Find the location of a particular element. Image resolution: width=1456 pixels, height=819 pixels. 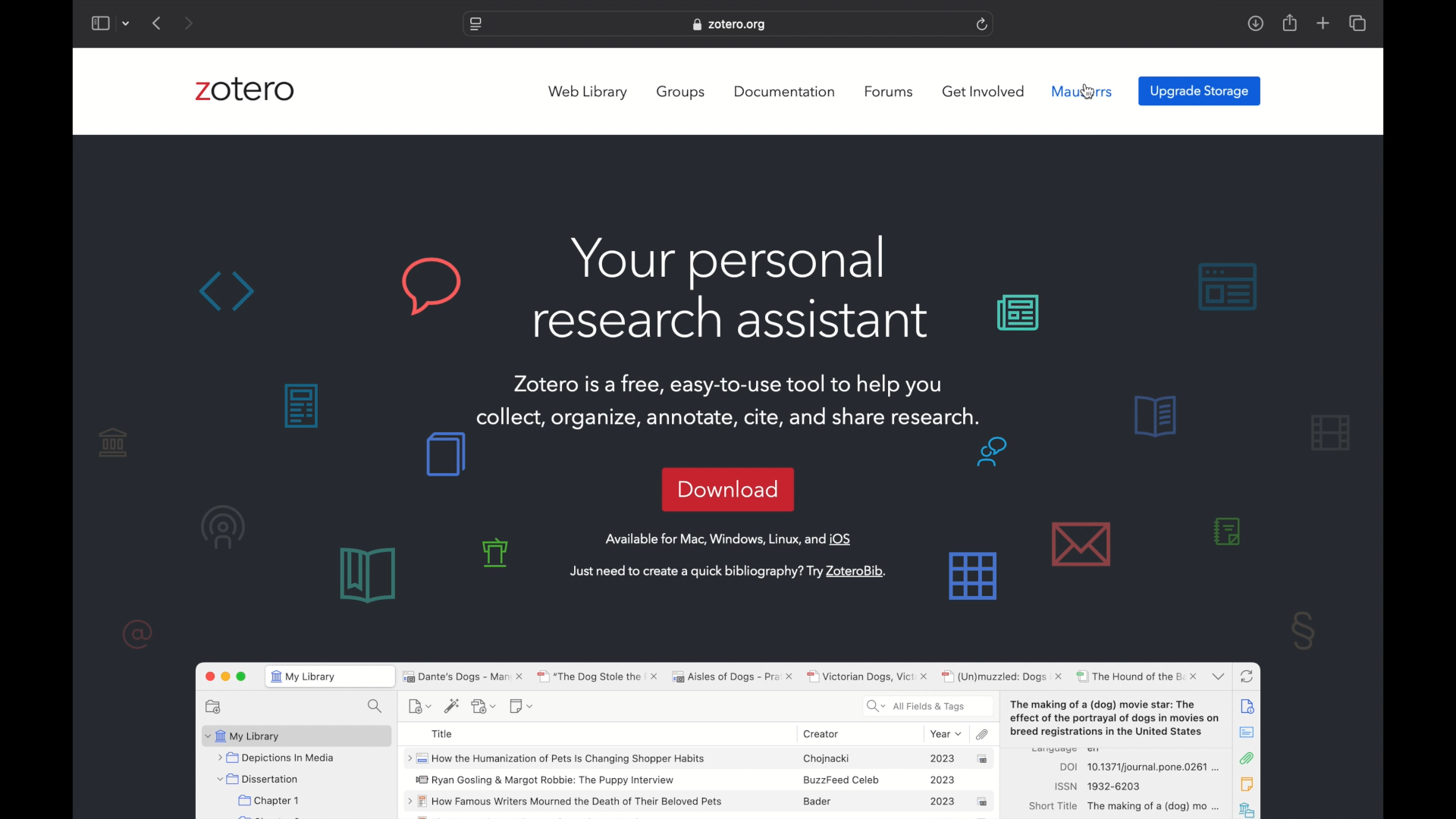

dropdown is located at coordinates (127, 25).